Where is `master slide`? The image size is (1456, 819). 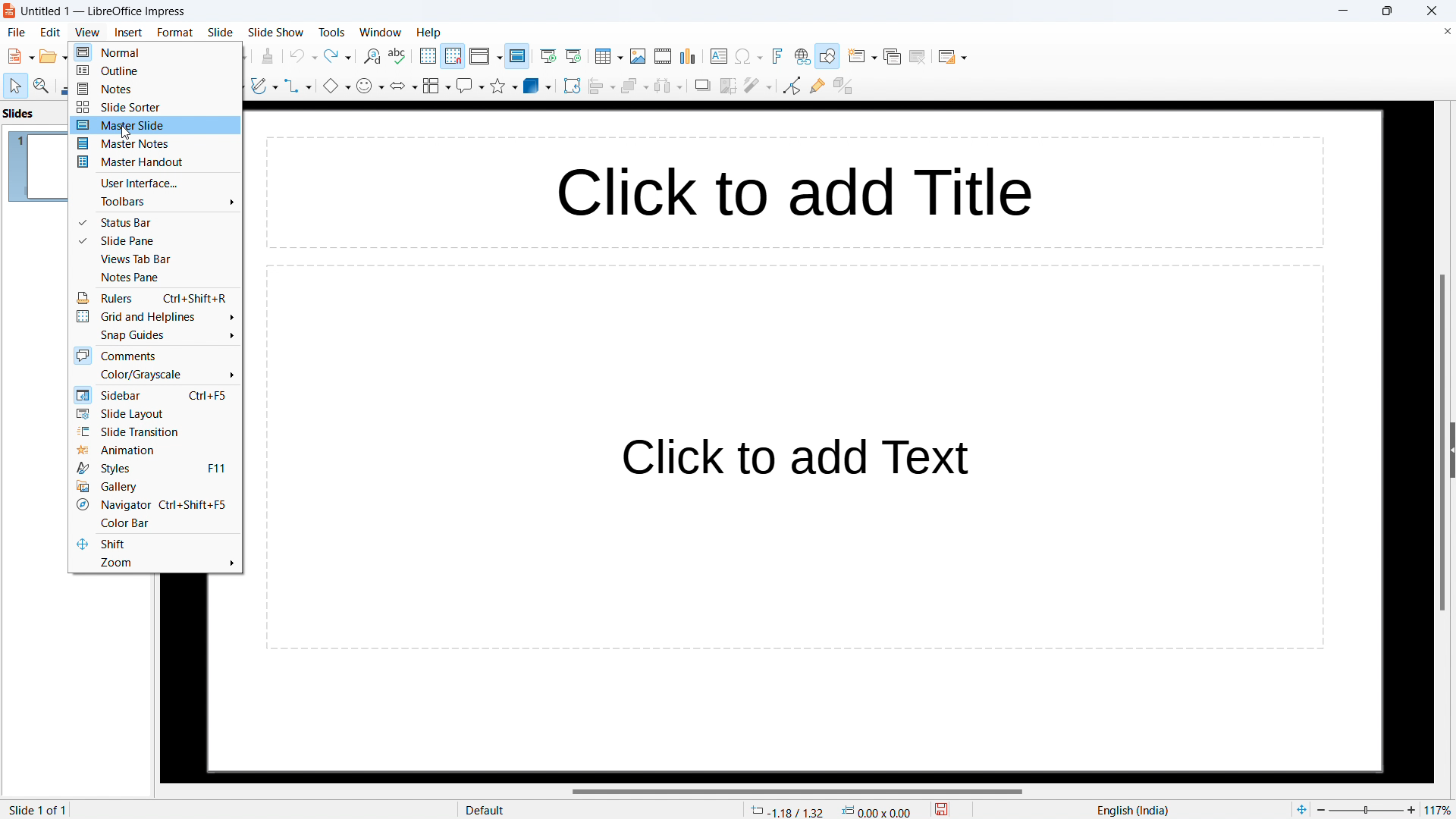
master slide is located at coordinates (155, 125).